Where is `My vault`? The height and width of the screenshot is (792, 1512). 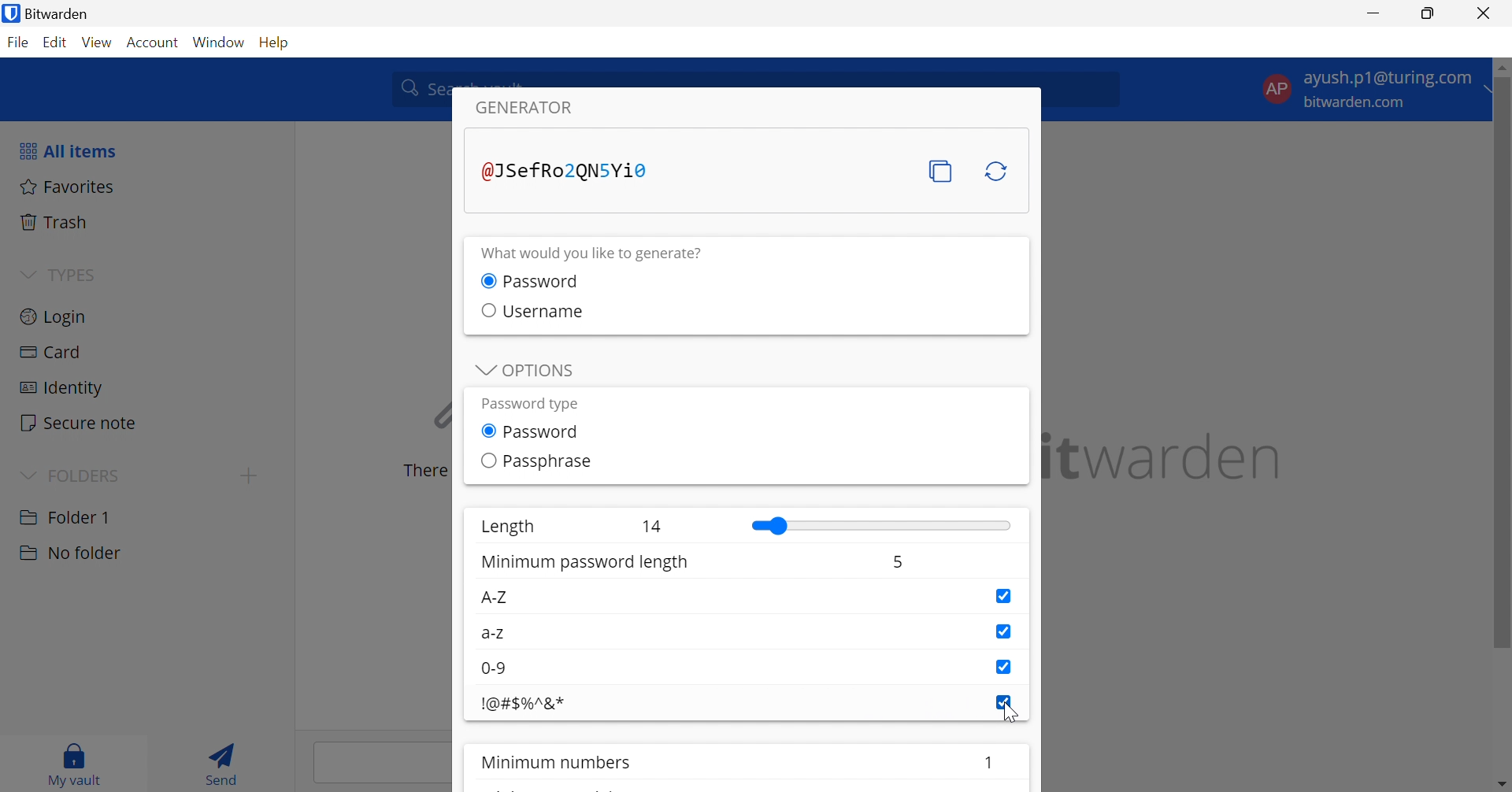
My vault is located at coordinates (80, 764).